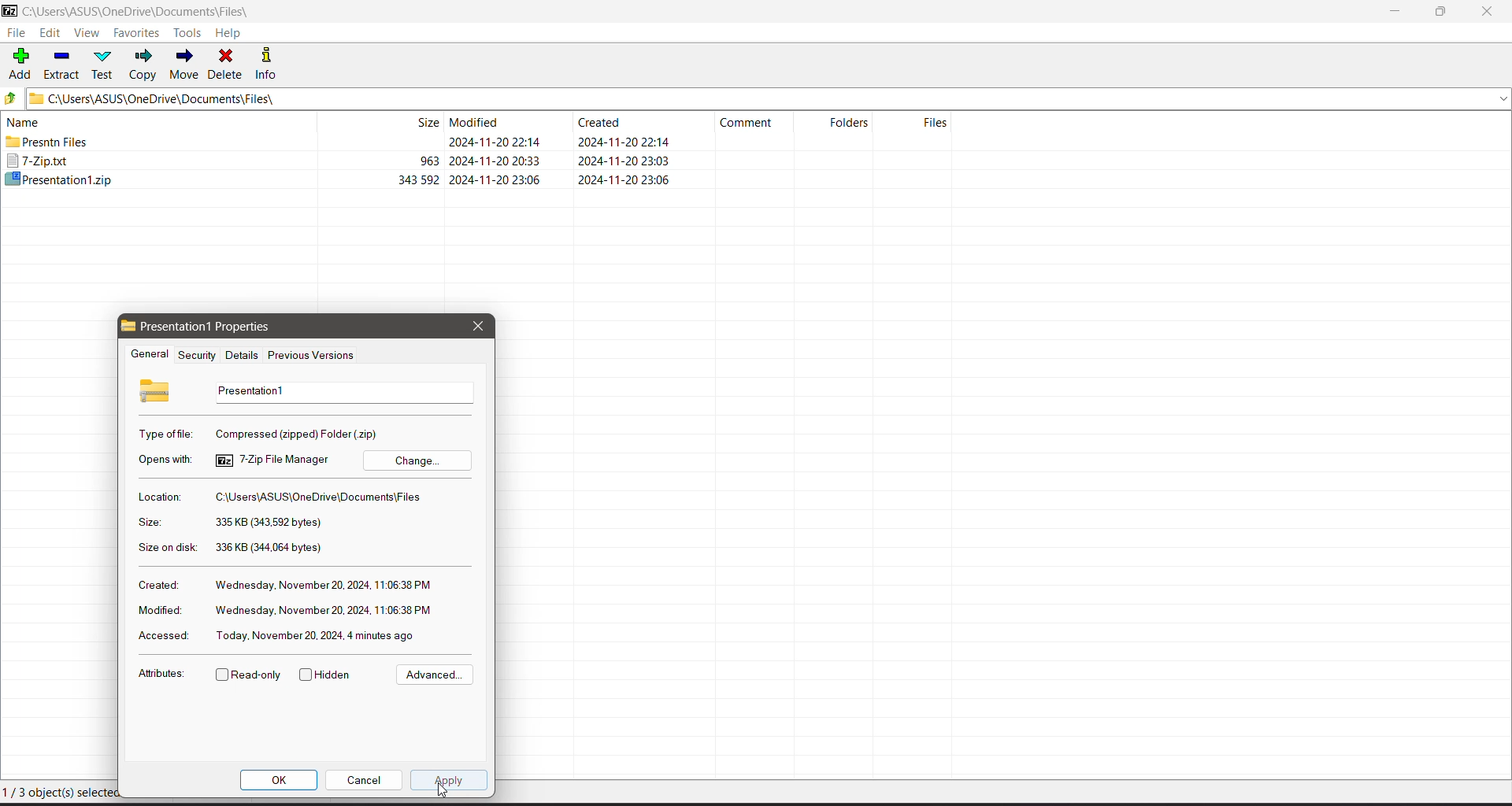 Image resolution: width=1512 pixels, height=806 pixels. What do you see at coordinates (148, 12) in the screenshot?
I see `Current Folder Path` at bounding box center [148, 12].